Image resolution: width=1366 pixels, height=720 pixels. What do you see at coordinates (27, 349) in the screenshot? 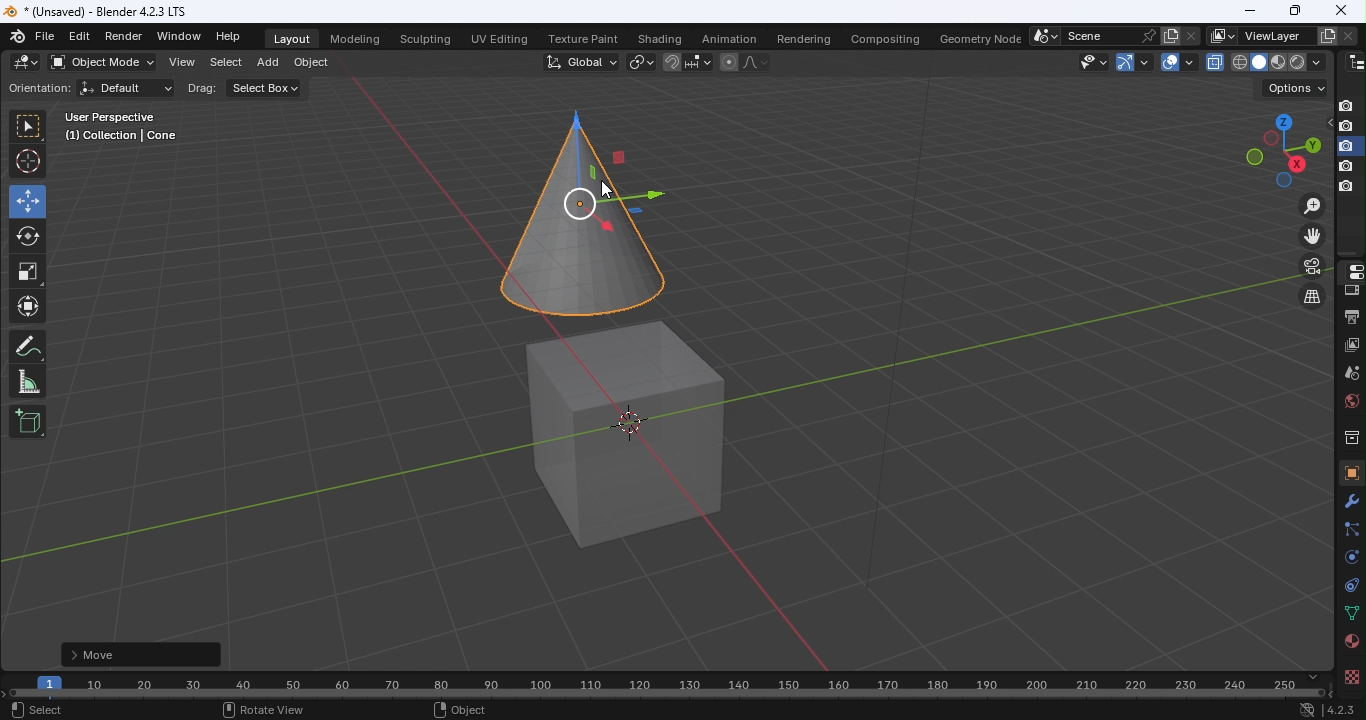
I see `Annotate` at bounding box center [27, 349].